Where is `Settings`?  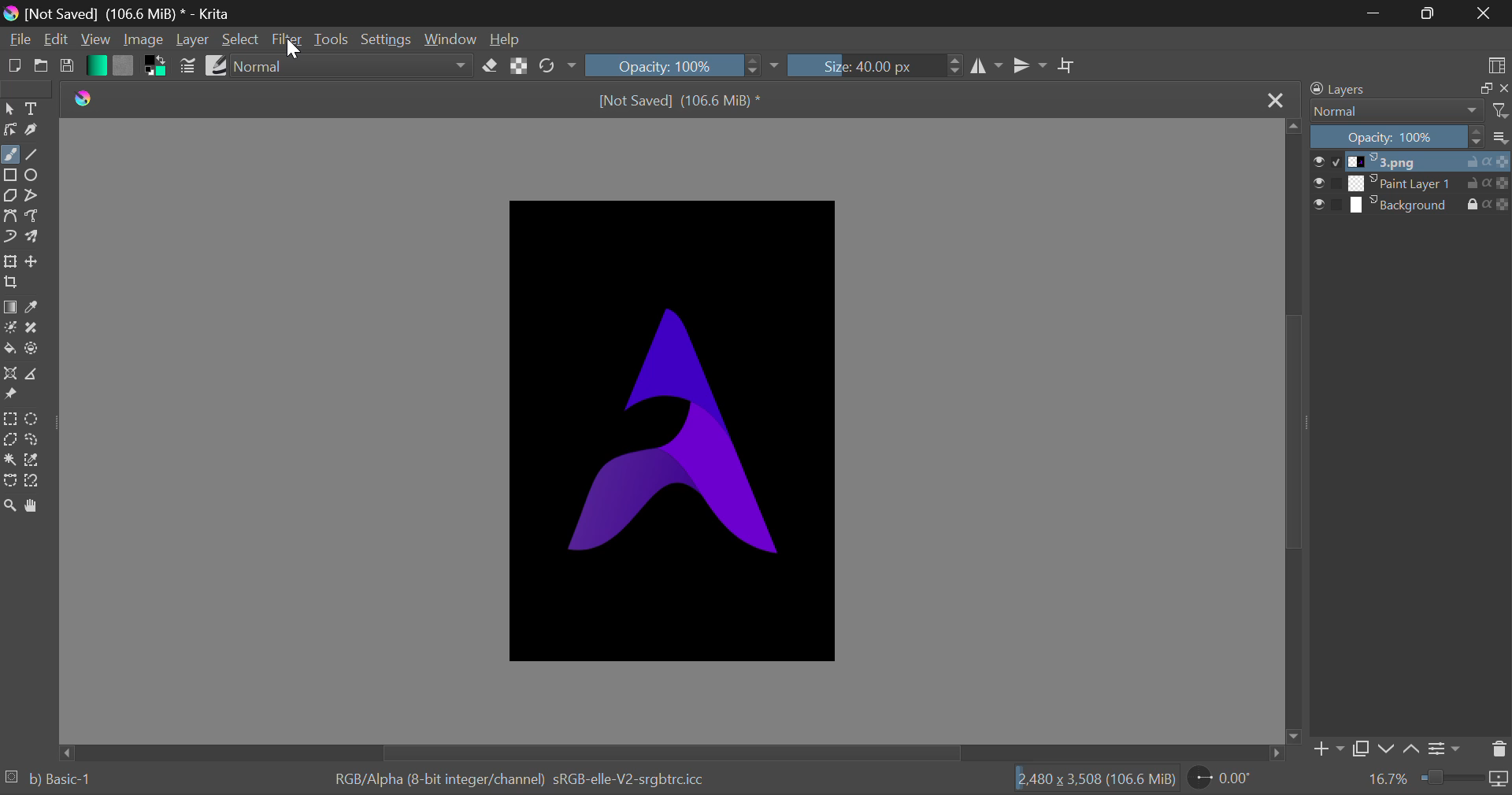
Settings is located at coordinates (387, 39).